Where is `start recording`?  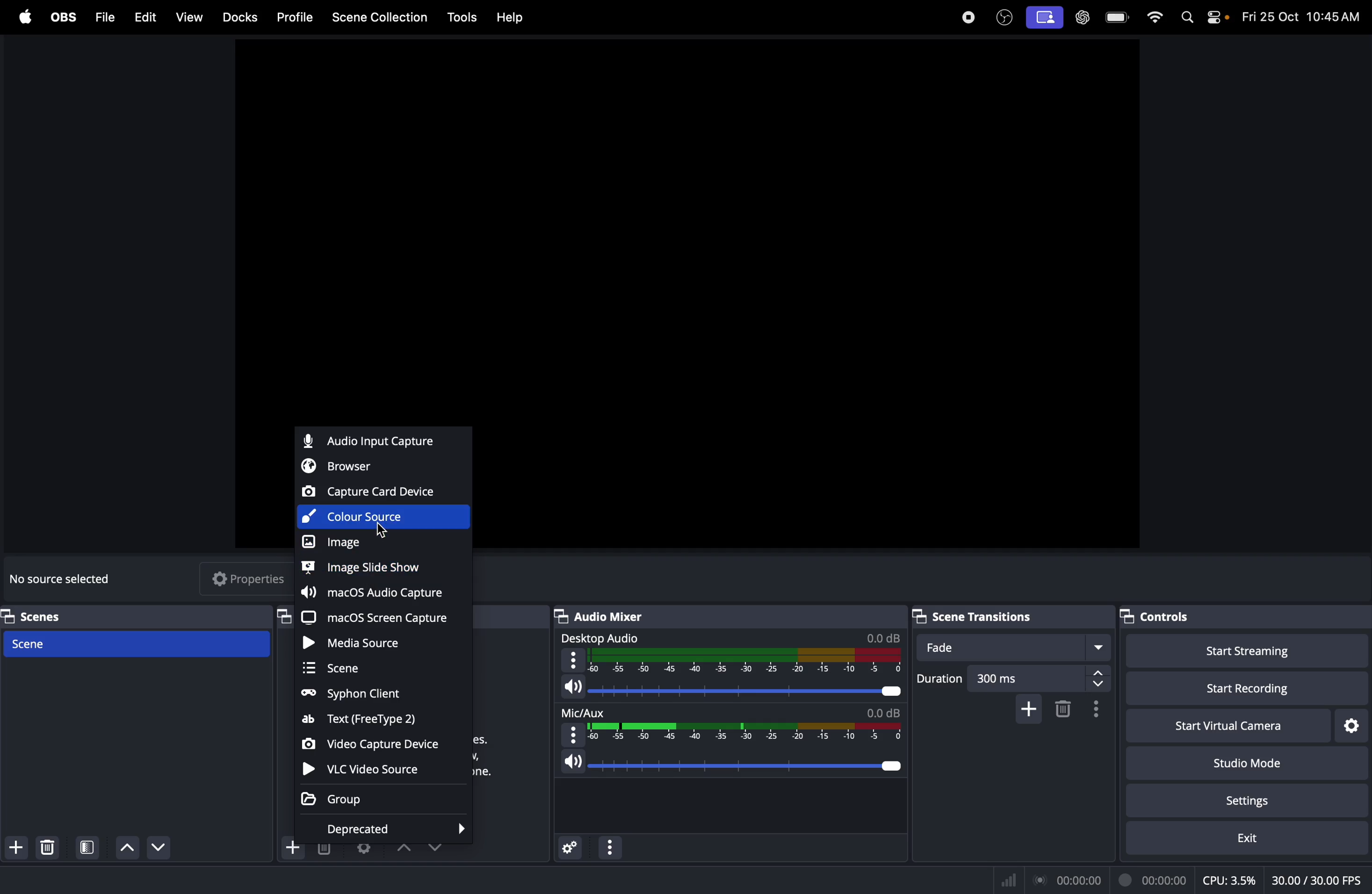
start recording is located at coordinates (1234, 686).